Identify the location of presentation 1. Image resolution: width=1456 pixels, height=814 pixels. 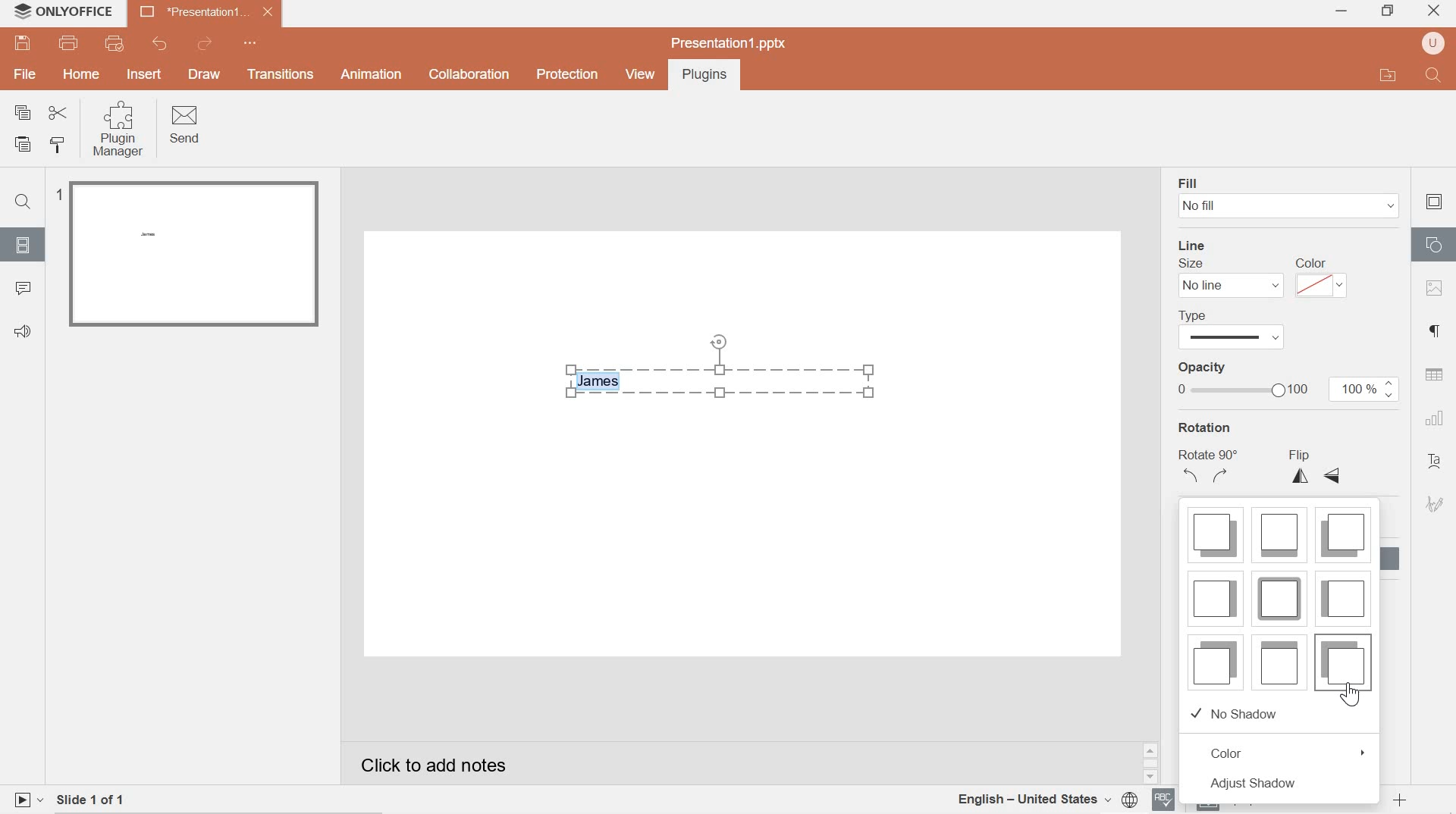
(206, 12).